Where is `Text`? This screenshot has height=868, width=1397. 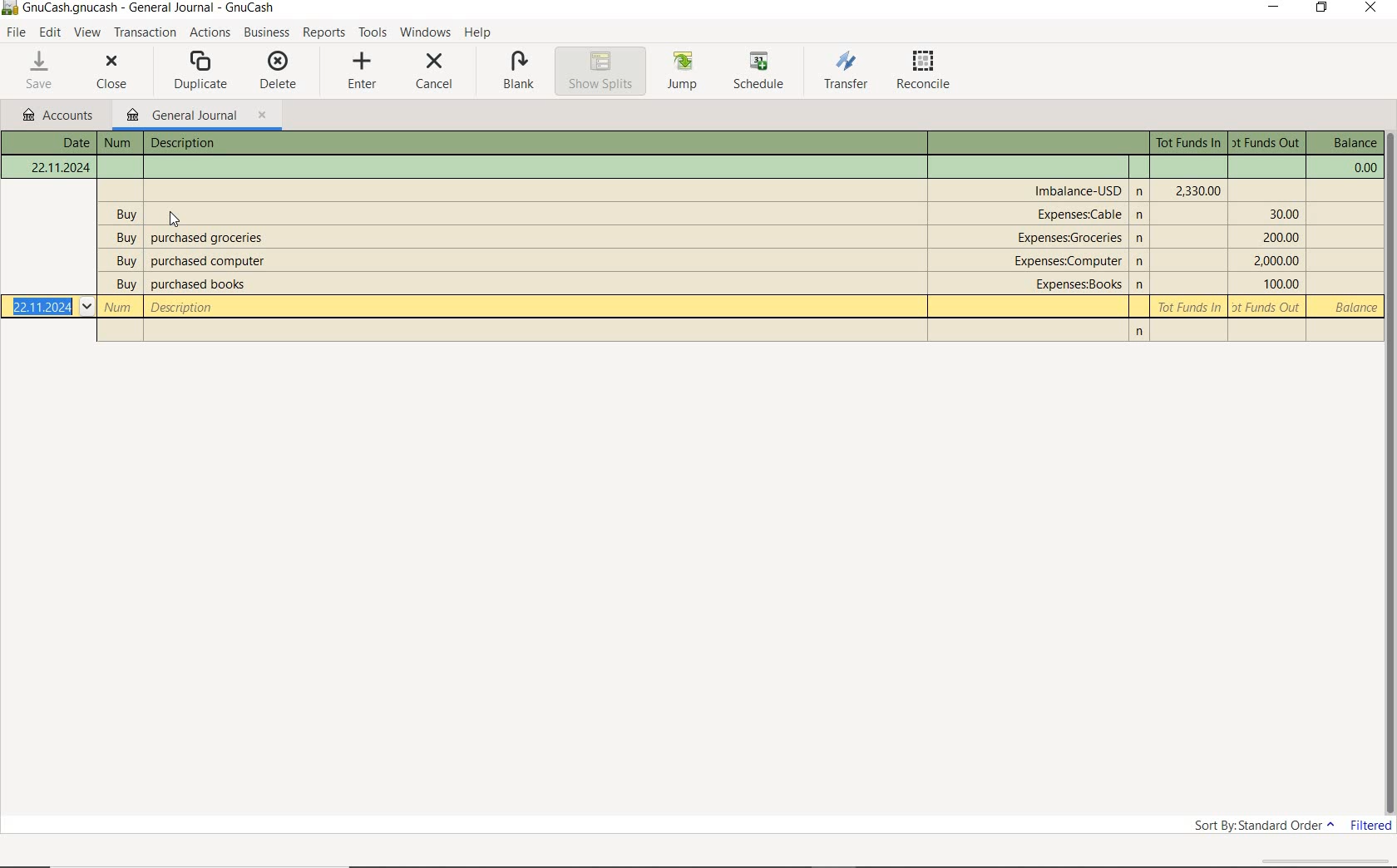 Text is located at coordinates (700, 259).